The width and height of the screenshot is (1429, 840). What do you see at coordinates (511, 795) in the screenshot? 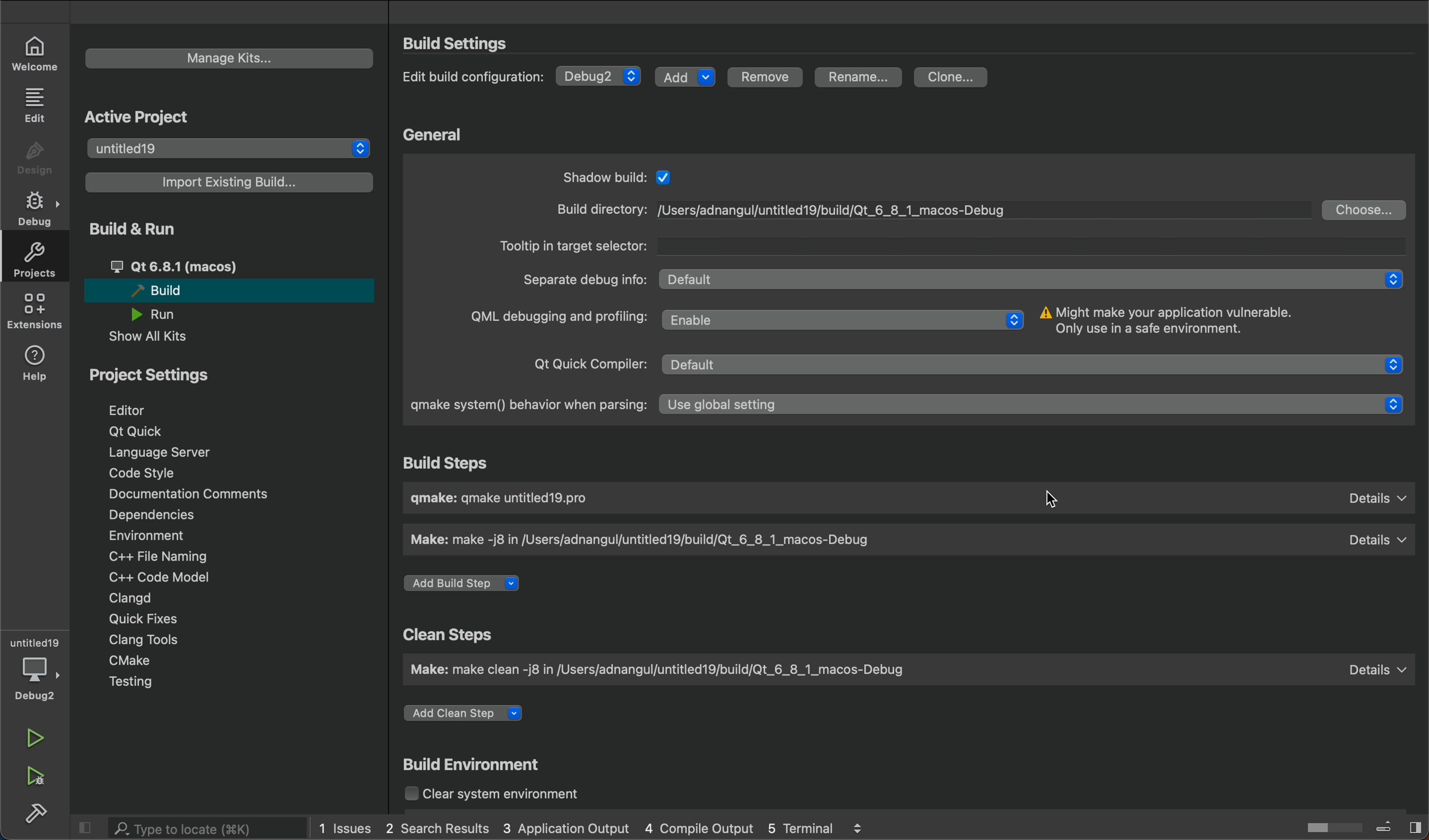
I see `clear system ` at bounding box center [511, 795].